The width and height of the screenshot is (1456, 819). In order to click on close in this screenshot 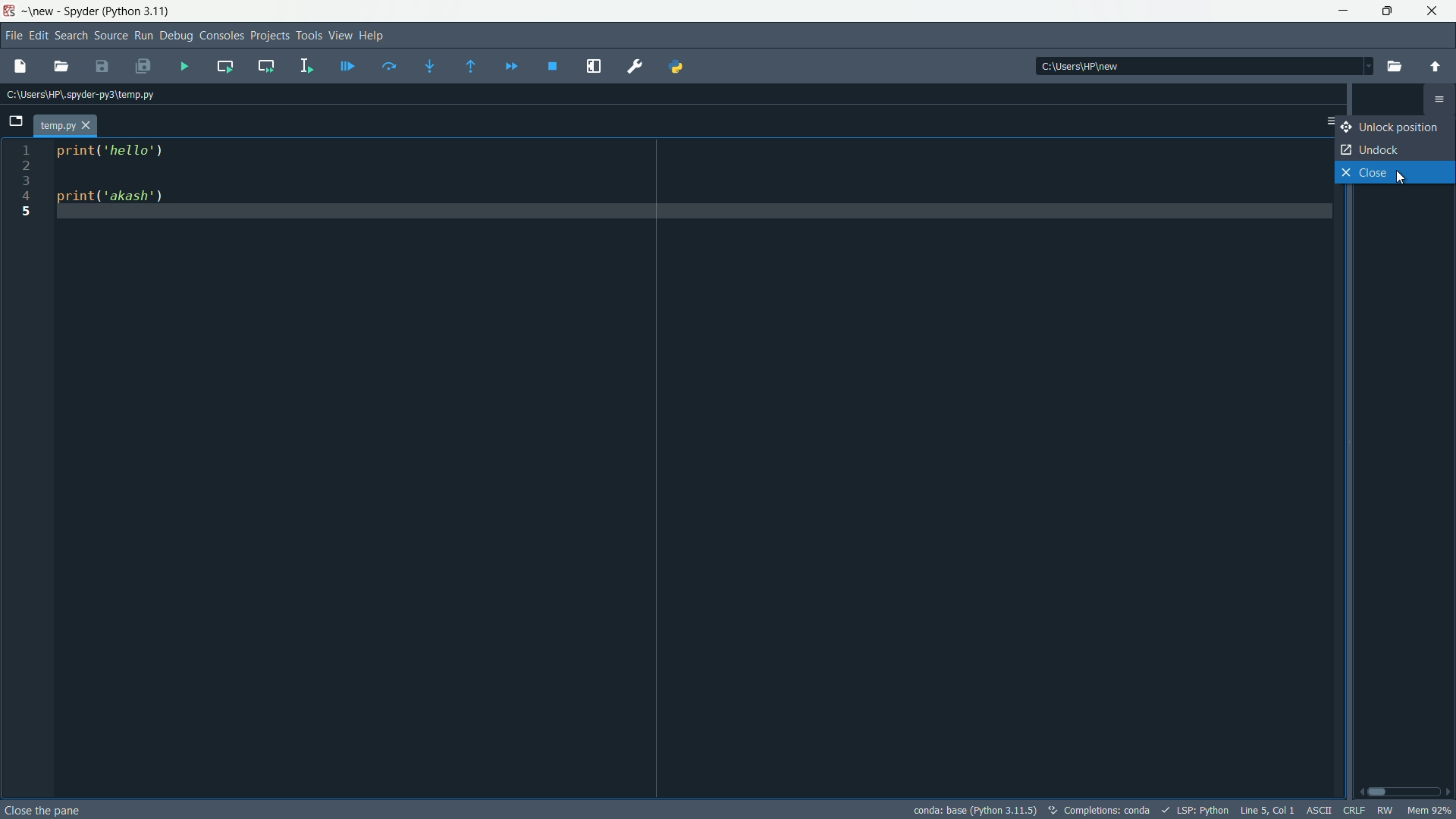, I will do `click(1395, 172)`.